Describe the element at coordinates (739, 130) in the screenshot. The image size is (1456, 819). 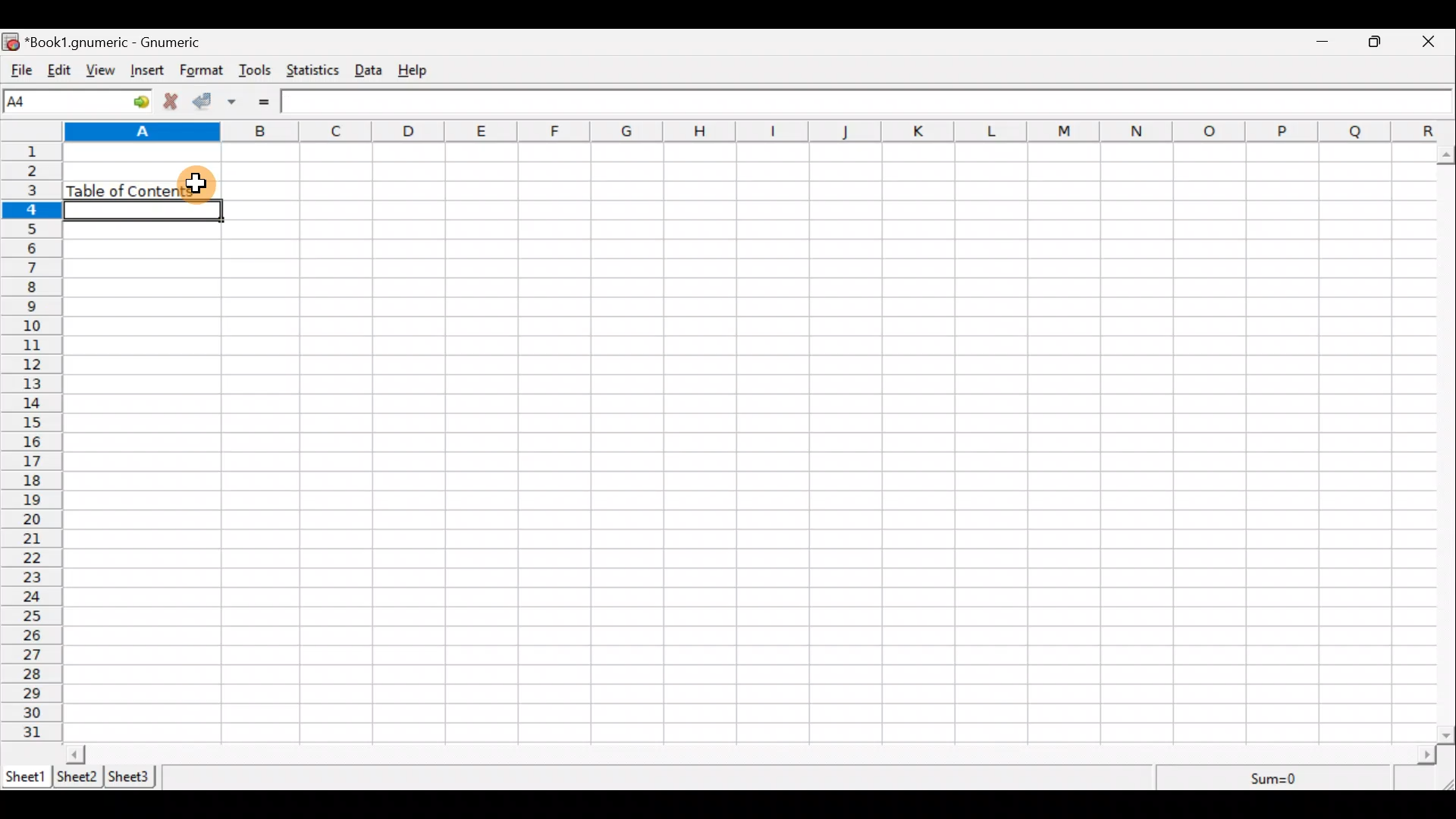
I see `Alphabets row` at that location.